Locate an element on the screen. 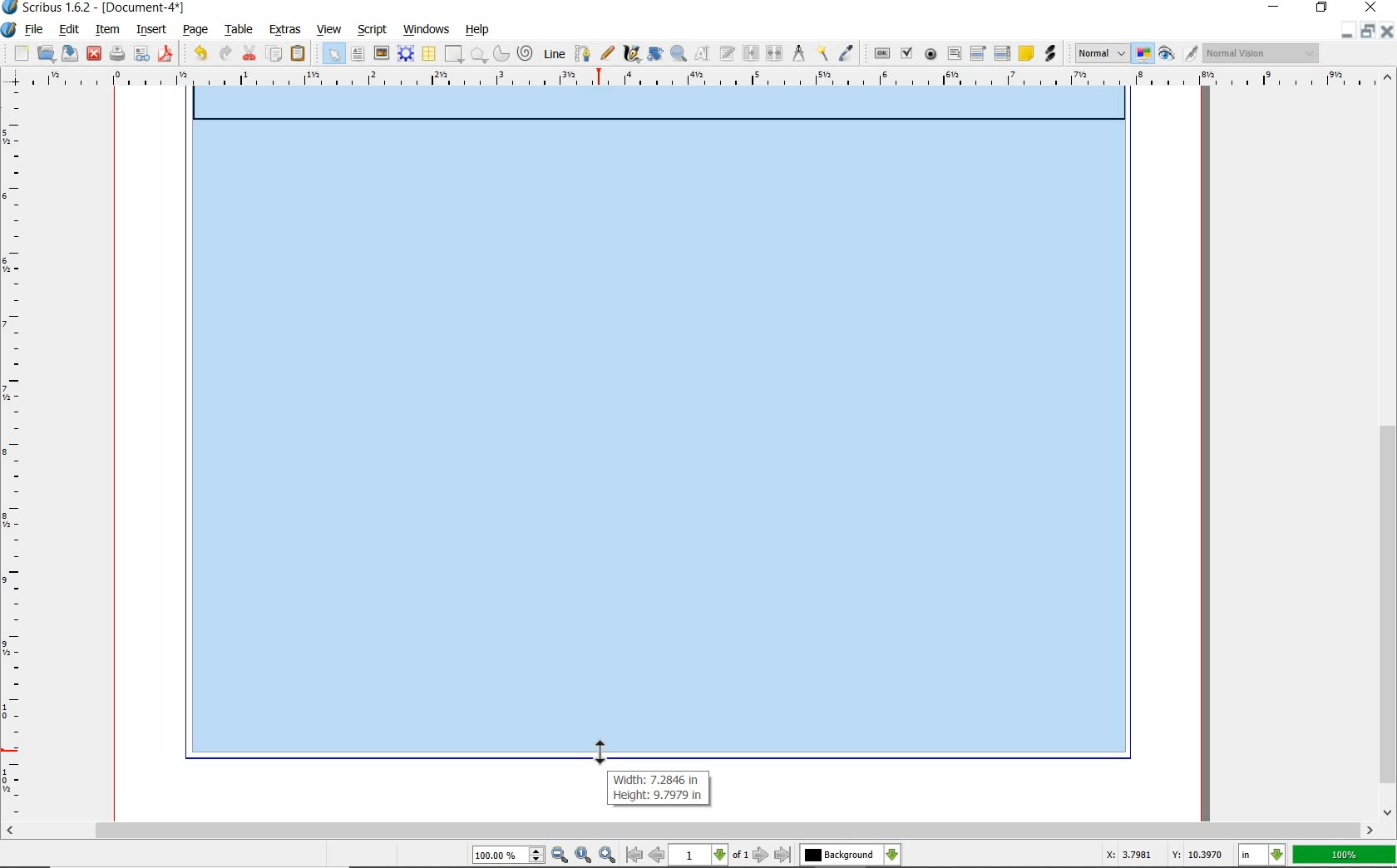 This screenshot has width=1397, height=868. script is located at coordinates (374, 30).